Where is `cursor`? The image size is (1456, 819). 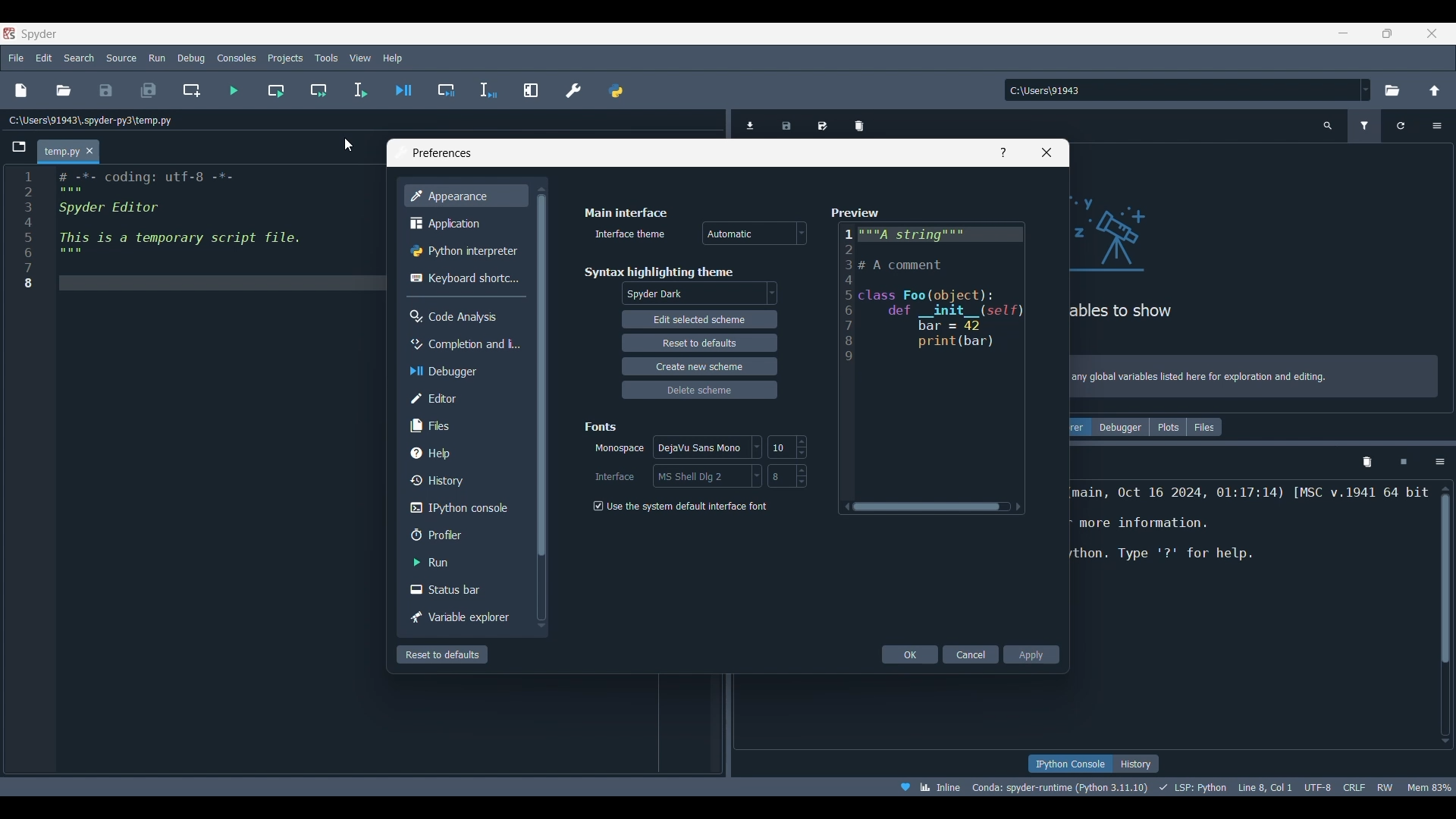 cursor is located at coordinates (345, 146).